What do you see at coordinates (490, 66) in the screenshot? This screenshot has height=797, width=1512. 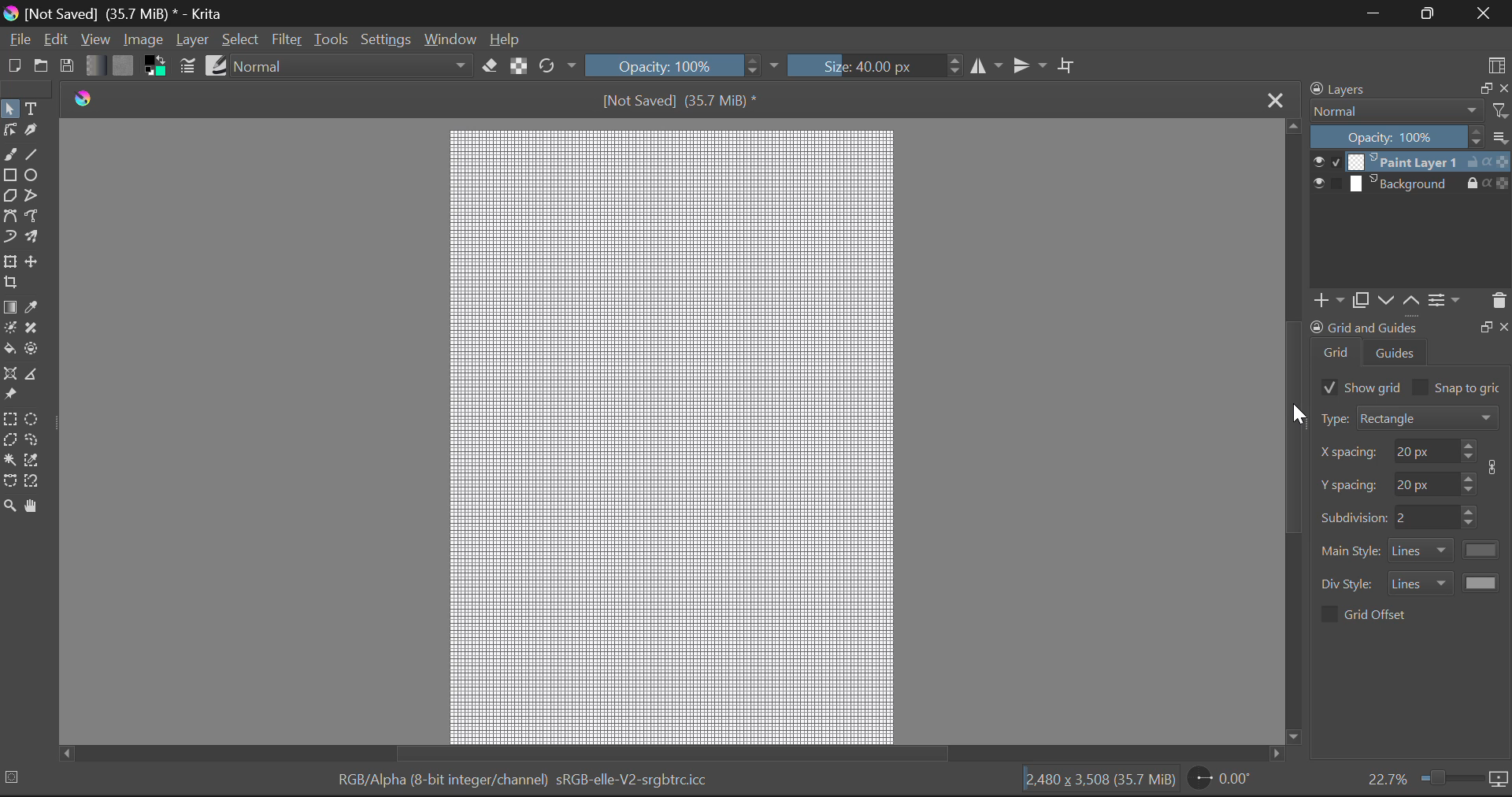 I see `Eraser` at bounding box center [490, 66].